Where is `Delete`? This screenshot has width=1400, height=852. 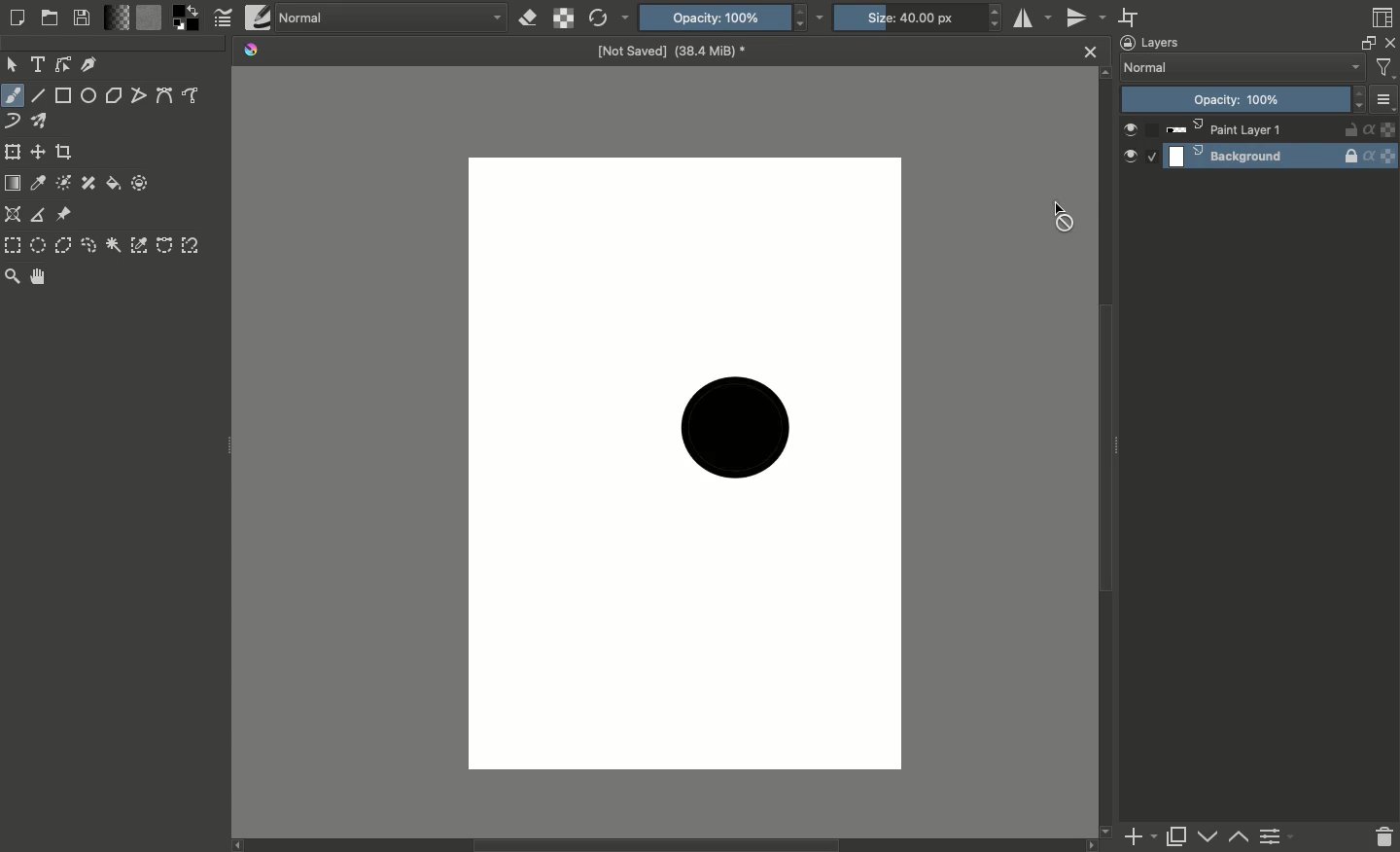
Delete is located at coordinates (1383, 837).